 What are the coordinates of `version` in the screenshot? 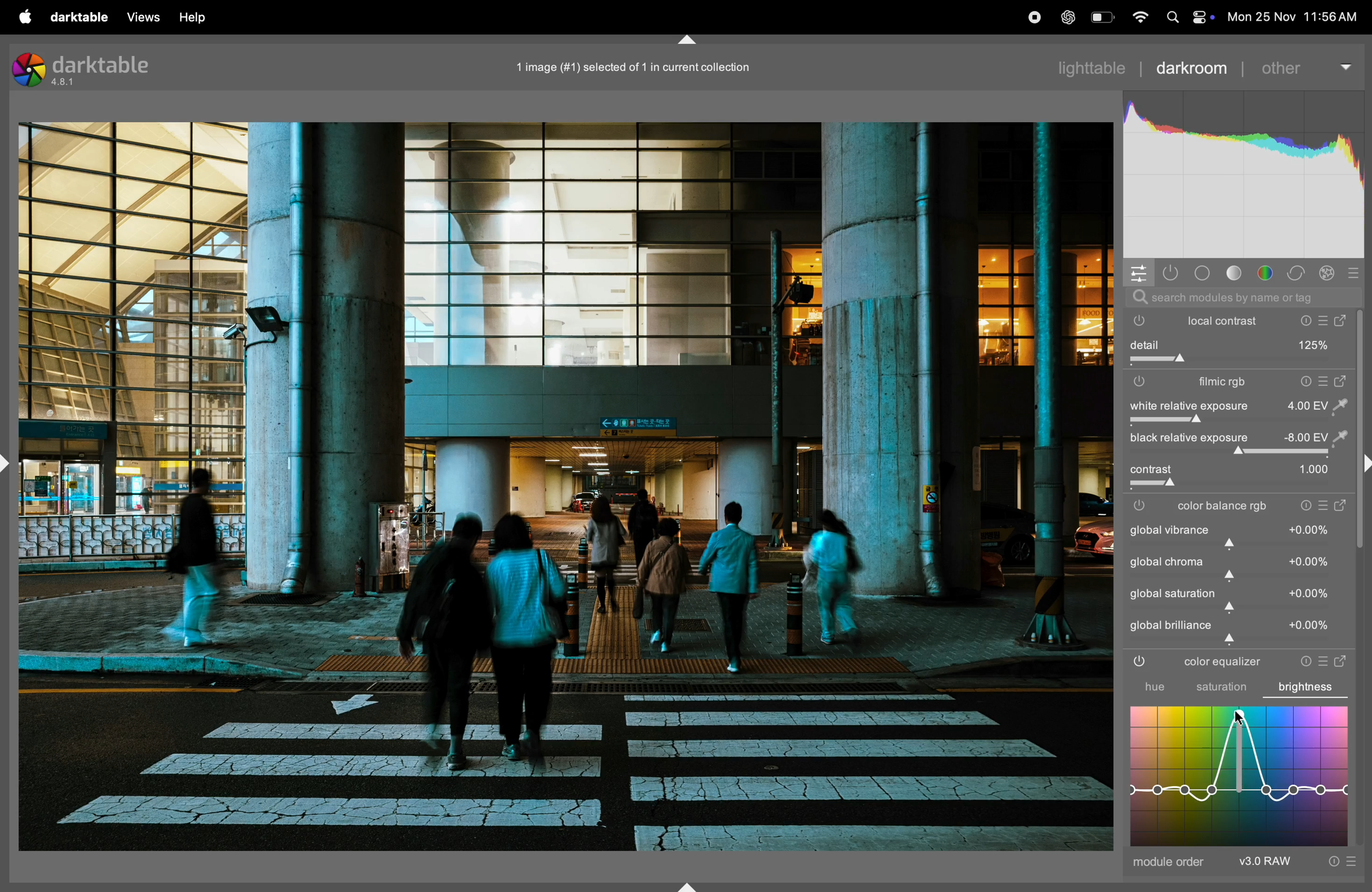 It's located at (66, 84).